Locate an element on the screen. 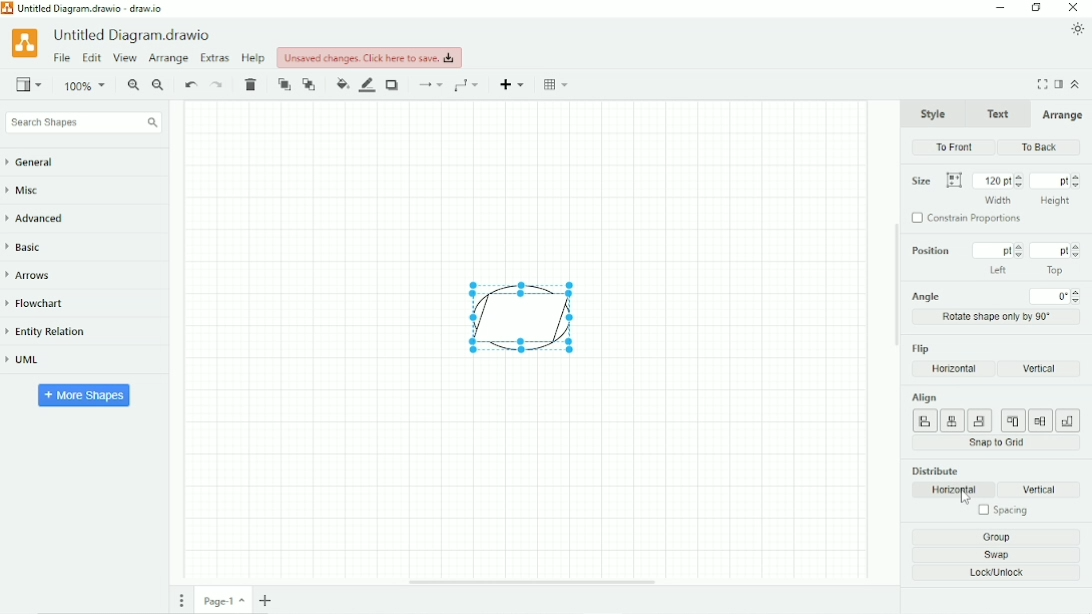 This screenshot has width=1092, height=614. Width is located at coordinates (998, 187).